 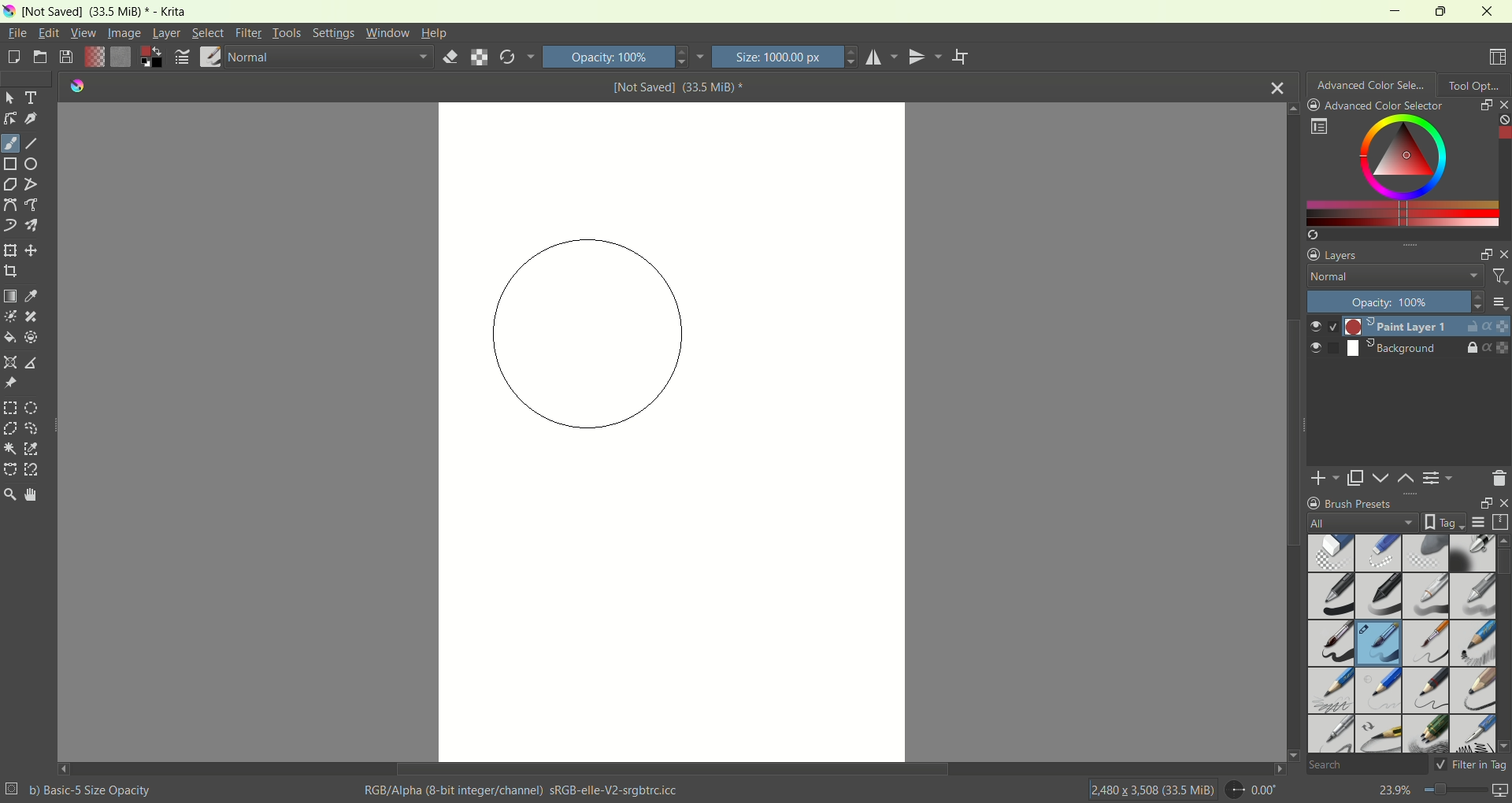 I want to click on horizontal mirror tool, so click(x=884, y=57).